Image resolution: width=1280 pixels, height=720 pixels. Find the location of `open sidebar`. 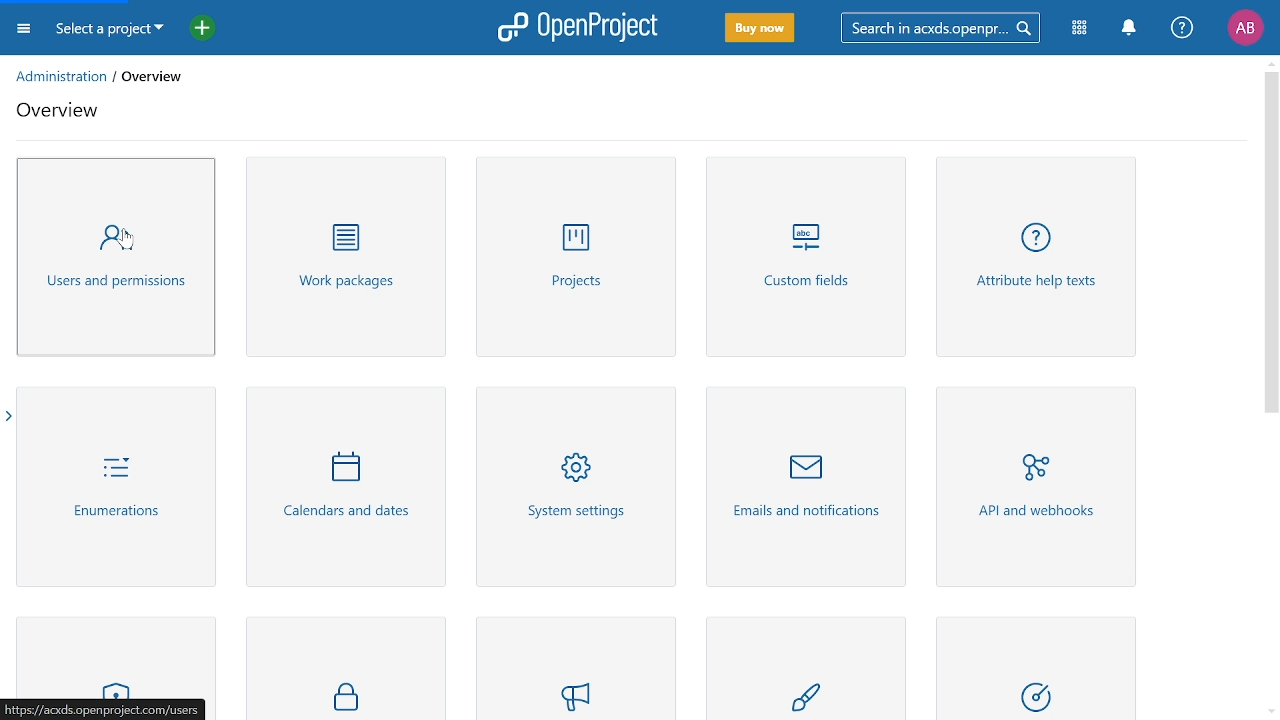

open sidebar is located at coordinates (8, 416).